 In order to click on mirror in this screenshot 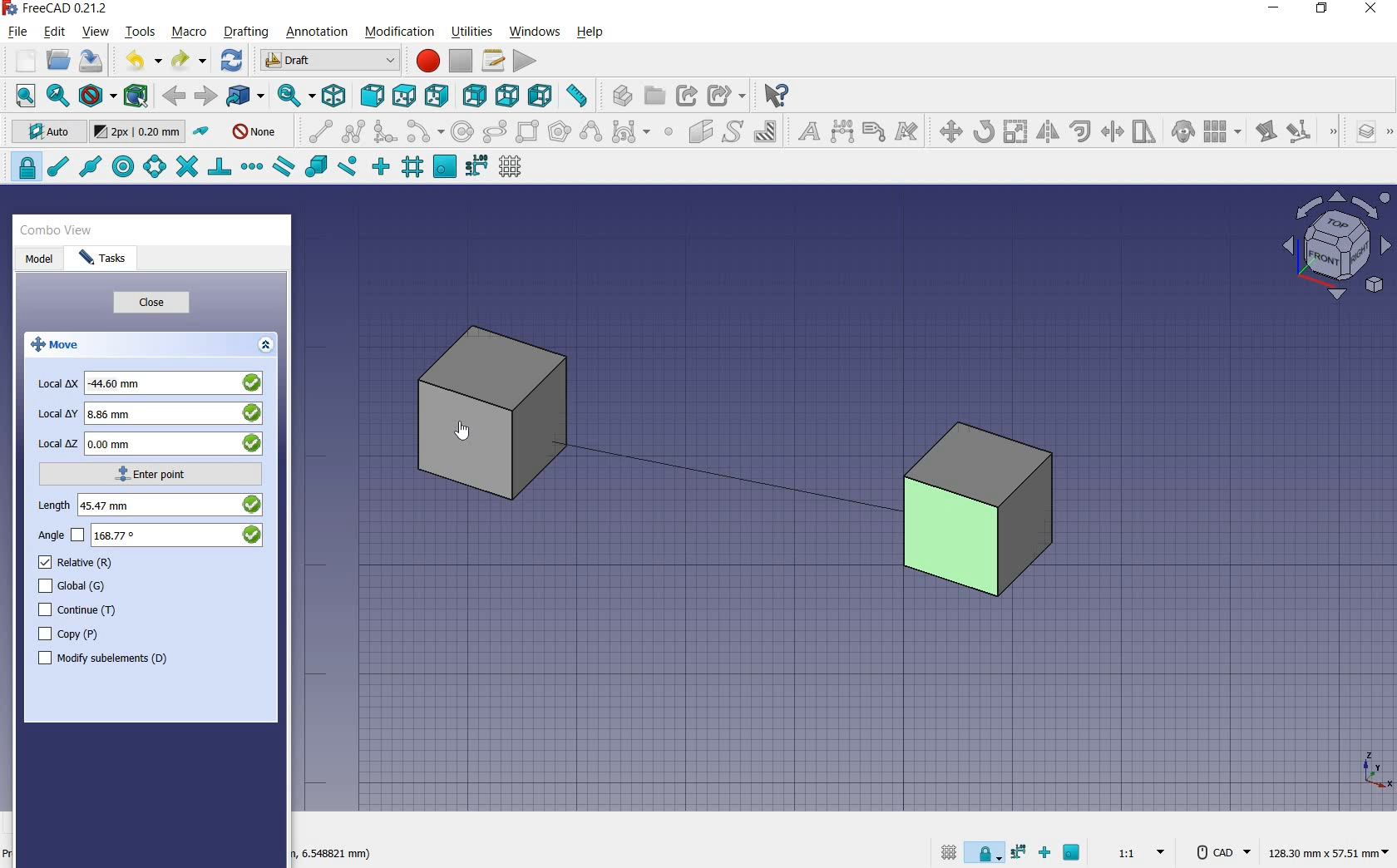, I will do `click(1049, 131)`.